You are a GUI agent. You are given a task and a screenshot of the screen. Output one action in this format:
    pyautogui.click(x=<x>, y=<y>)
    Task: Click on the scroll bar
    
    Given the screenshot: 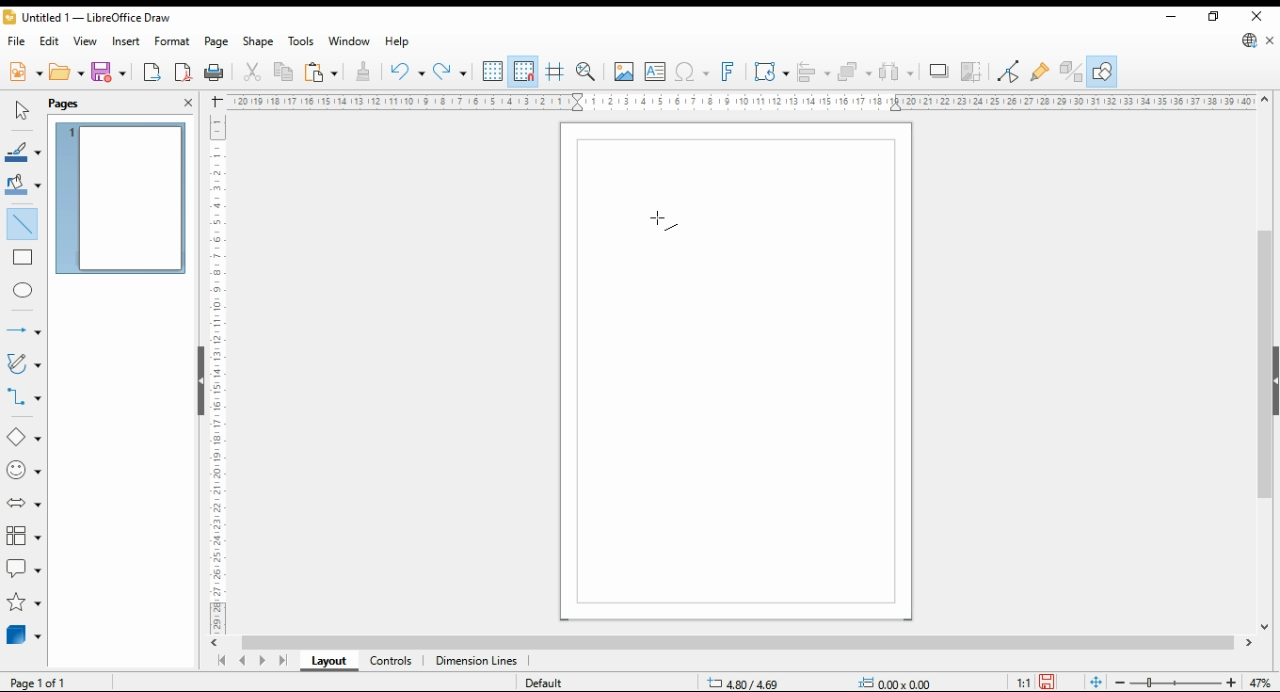 What is the action you would take?
    pyautogui.click(x=738, y=644)
    